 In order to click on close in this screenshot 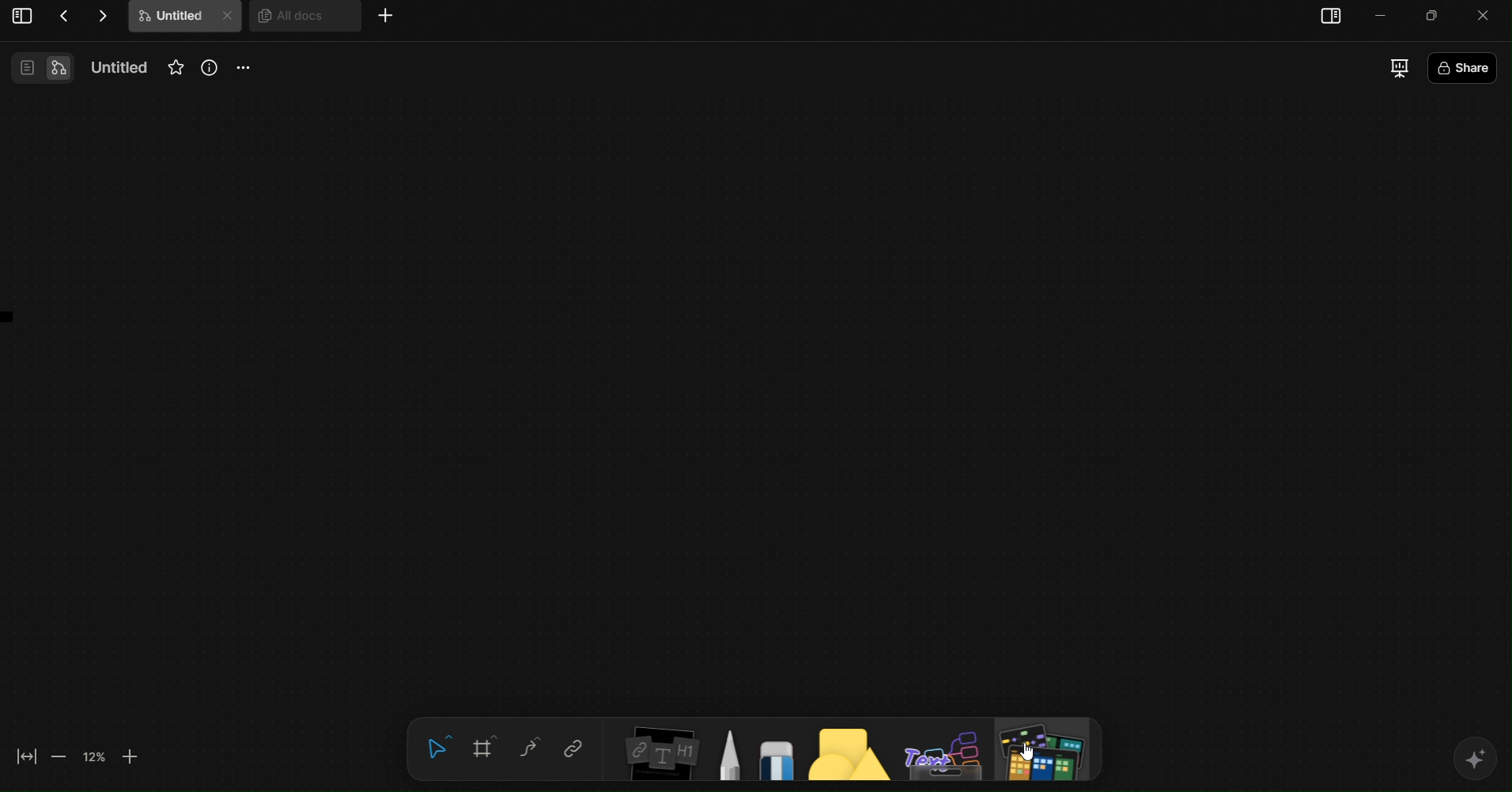, I will do `click(1491, 13)`.